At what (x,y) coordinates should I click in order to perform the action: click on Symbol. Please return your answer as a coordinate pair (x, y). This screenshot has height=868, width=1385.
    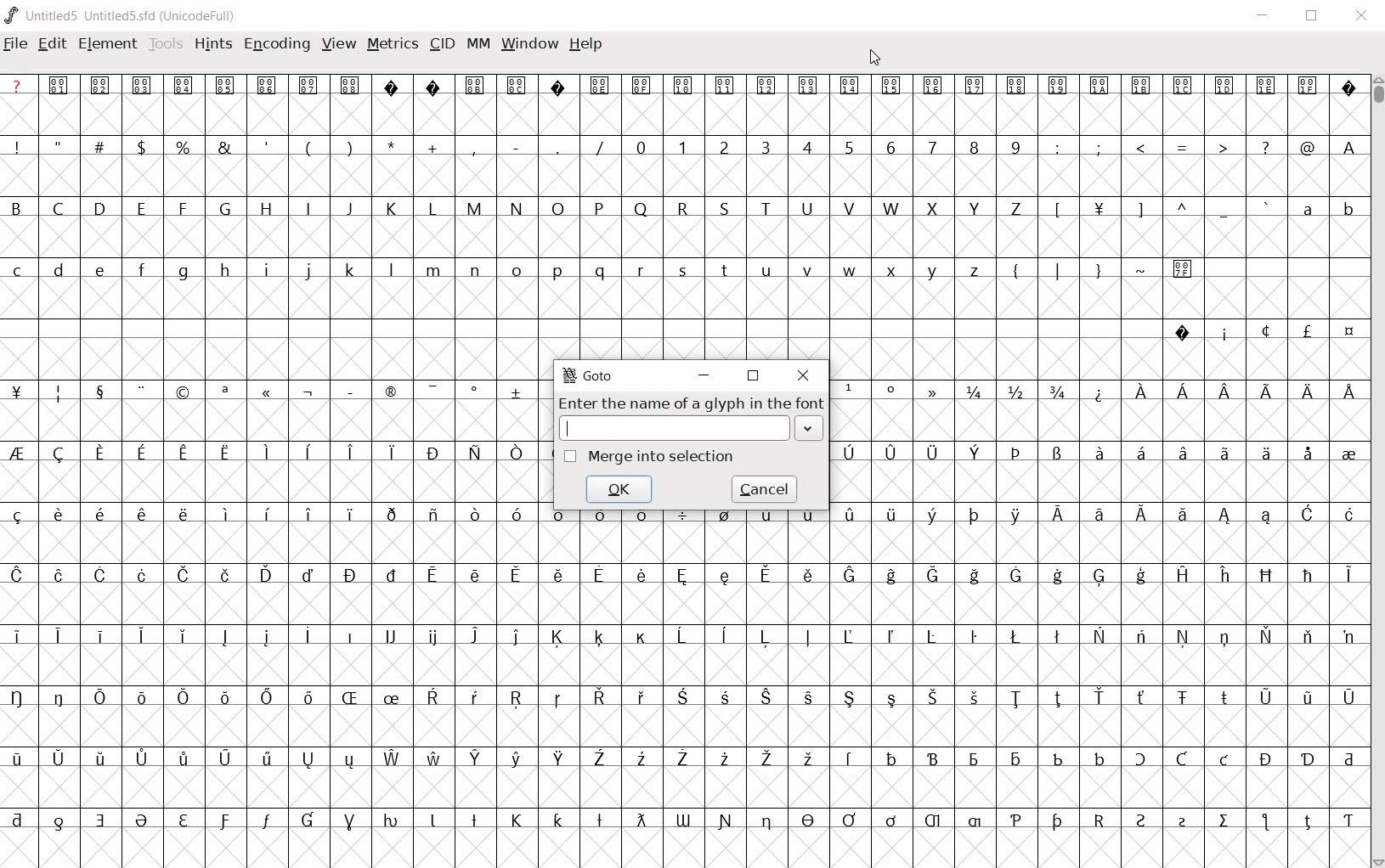
    Looking at the image, I should click on (477, 758).